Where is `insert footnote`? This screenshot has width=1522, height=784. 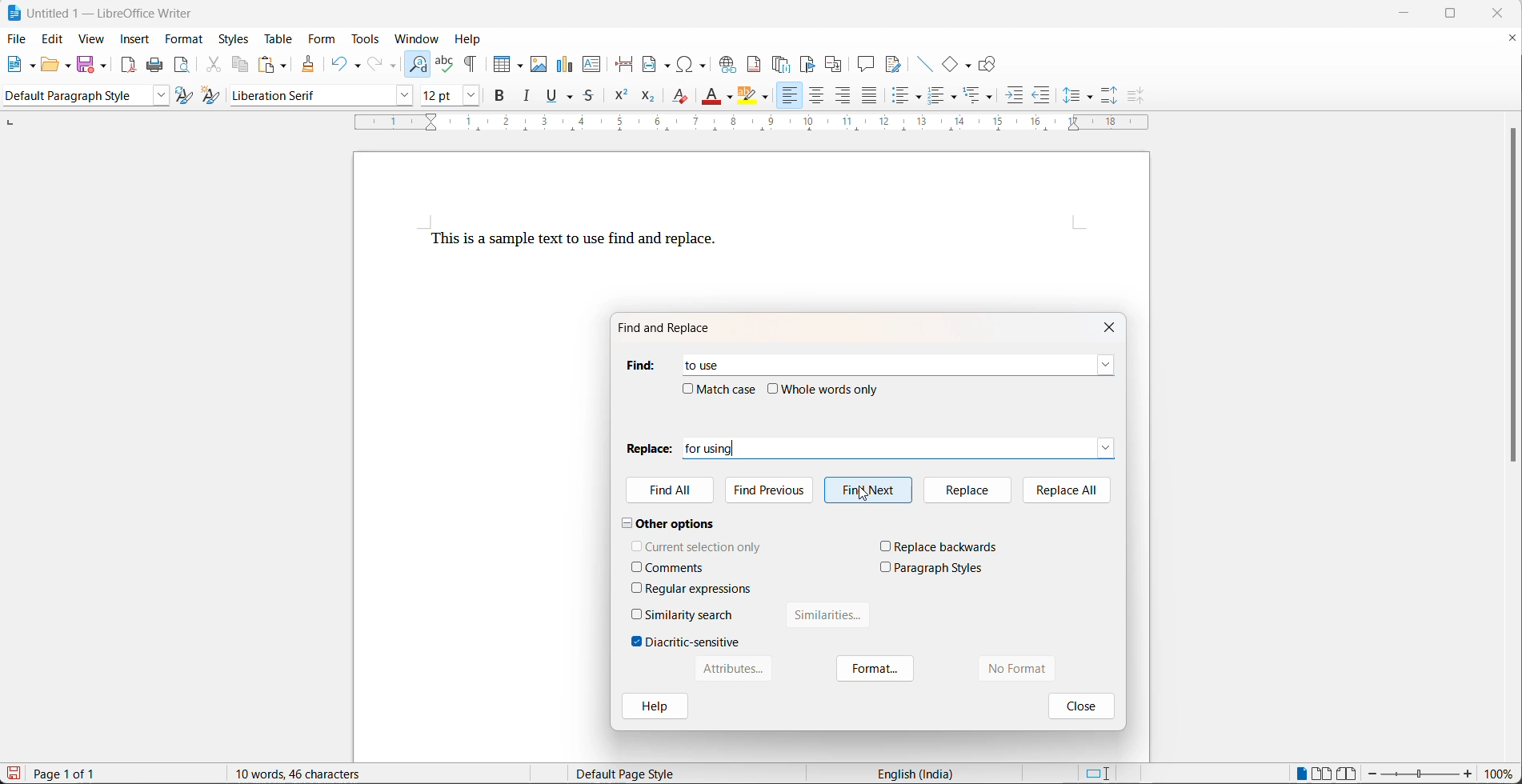 insert footnote is located at coordinates (756, 64).